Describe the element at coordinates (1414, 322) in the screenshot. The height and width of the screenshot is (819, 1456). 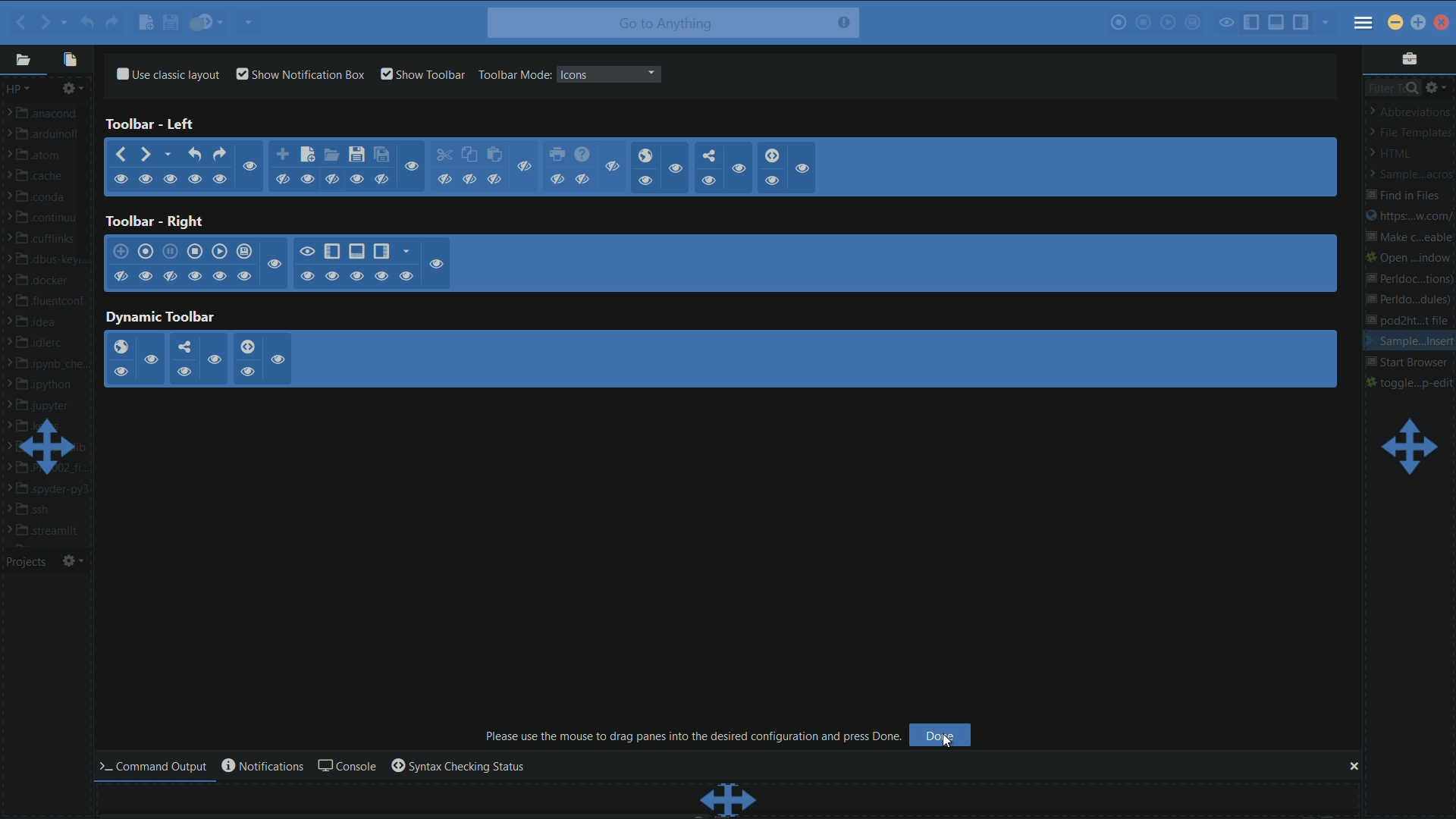
I see ` pod2ht..t file` at that location.